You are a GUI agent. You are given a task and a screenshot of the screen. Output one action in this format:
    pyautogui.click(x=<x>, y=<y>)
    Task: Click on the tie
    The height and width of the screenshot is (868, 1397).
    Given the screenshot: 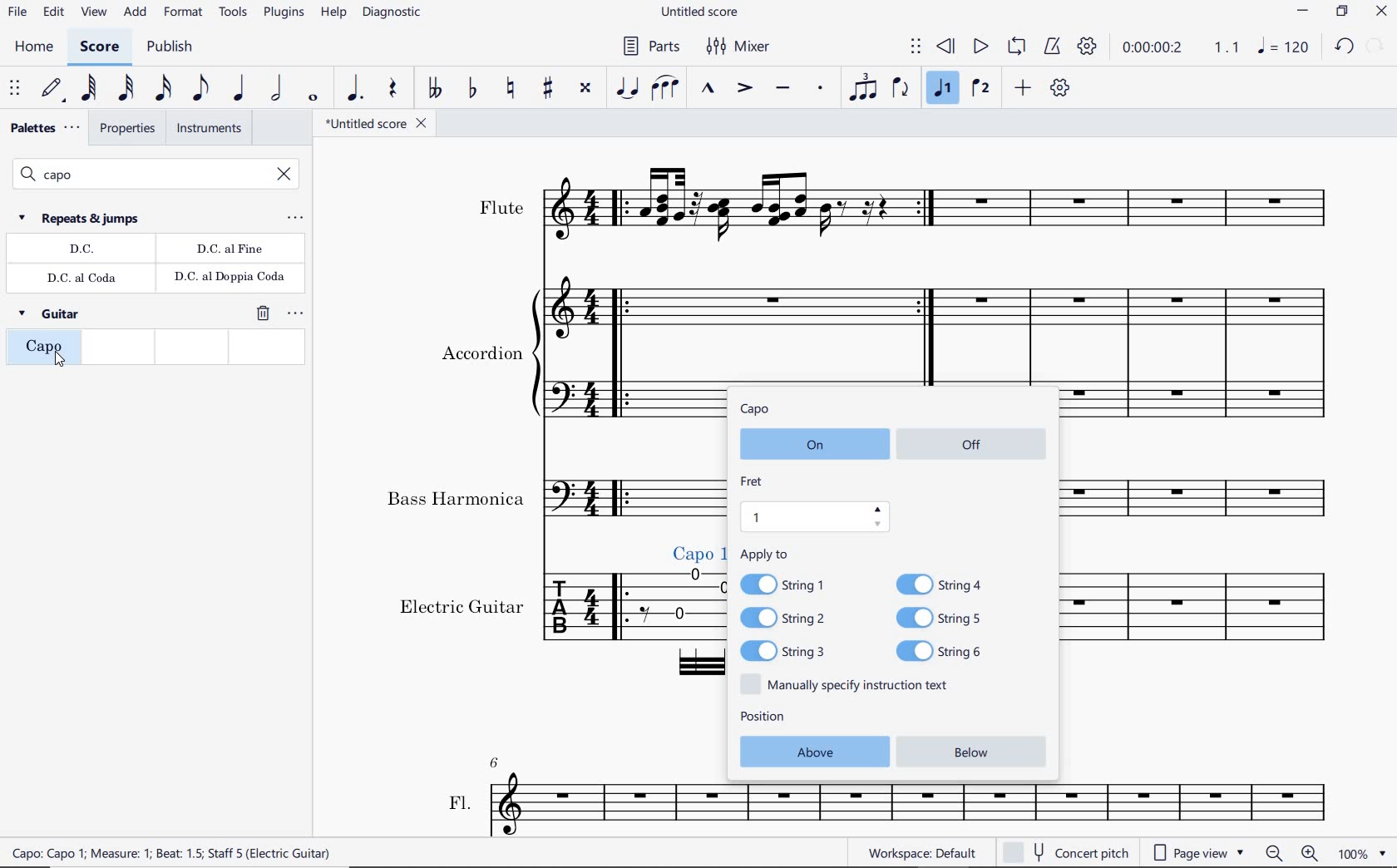 What is the action you would take?
    pyautogui.click(x=629, y=86)
    